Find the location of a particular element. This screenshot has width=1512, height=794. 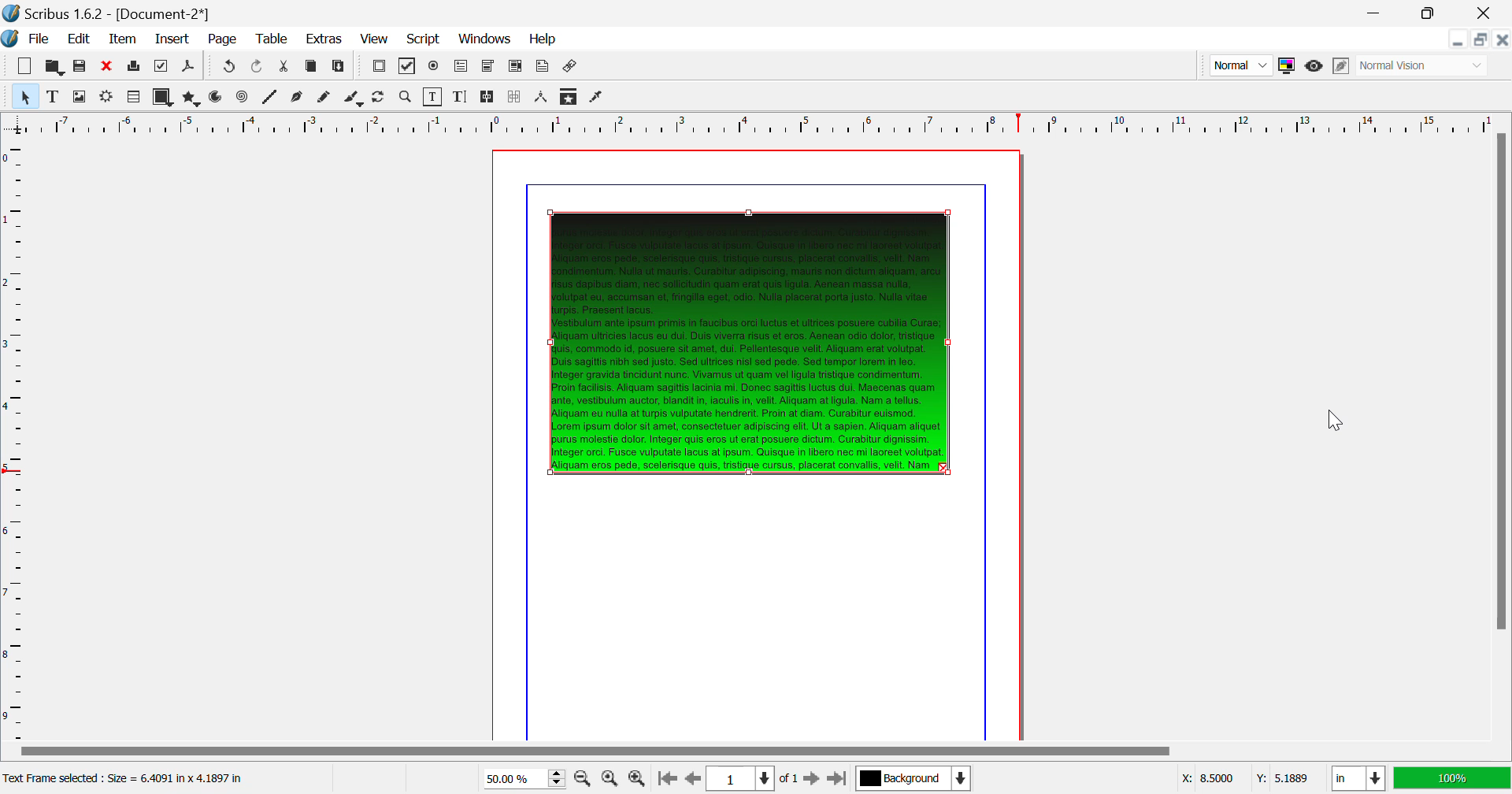

Scroll Bar is located at coordinates (1502, 435).